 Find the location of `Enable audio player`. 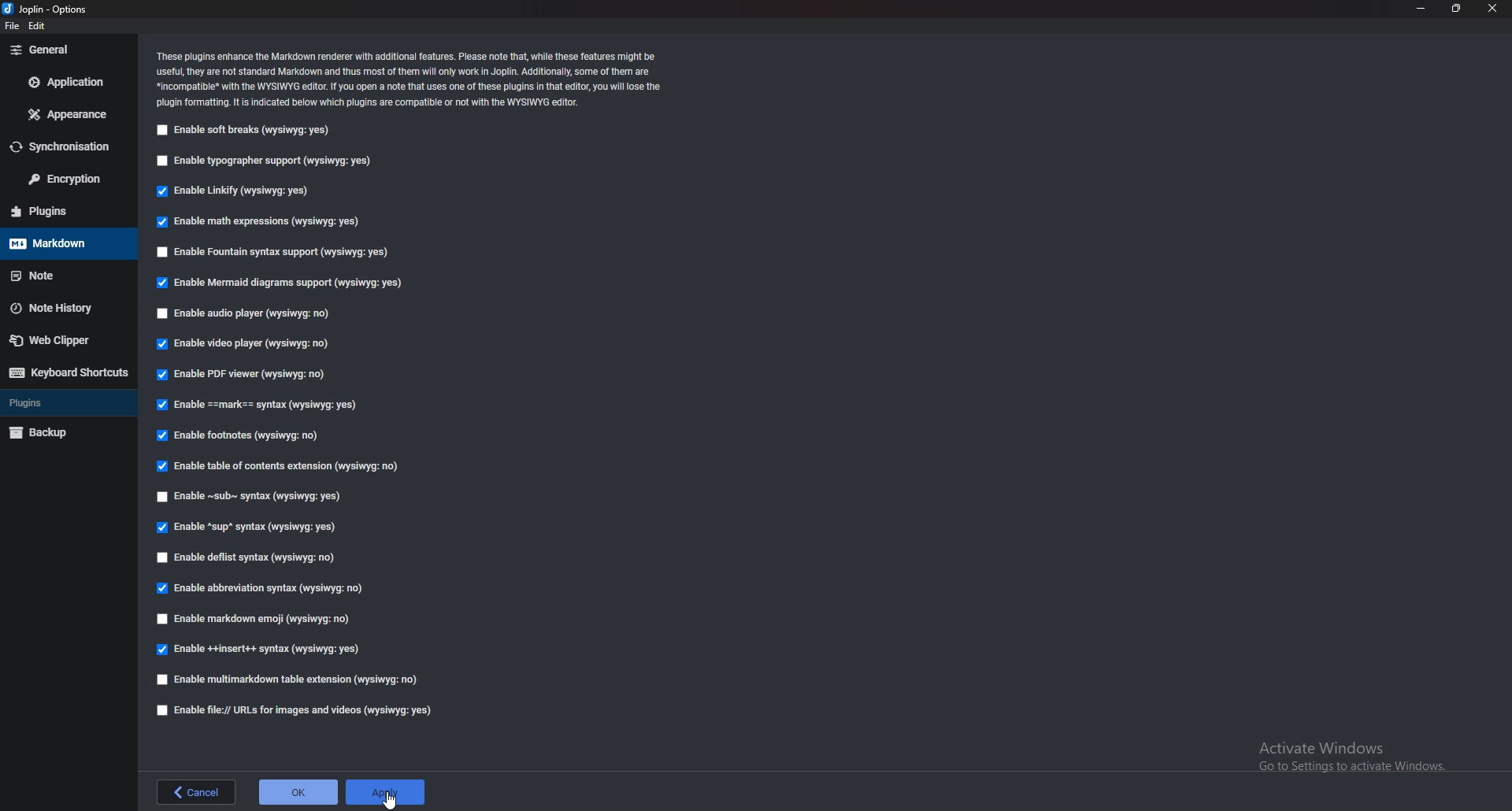

Enable audio player is located at coordinates (246, 313).